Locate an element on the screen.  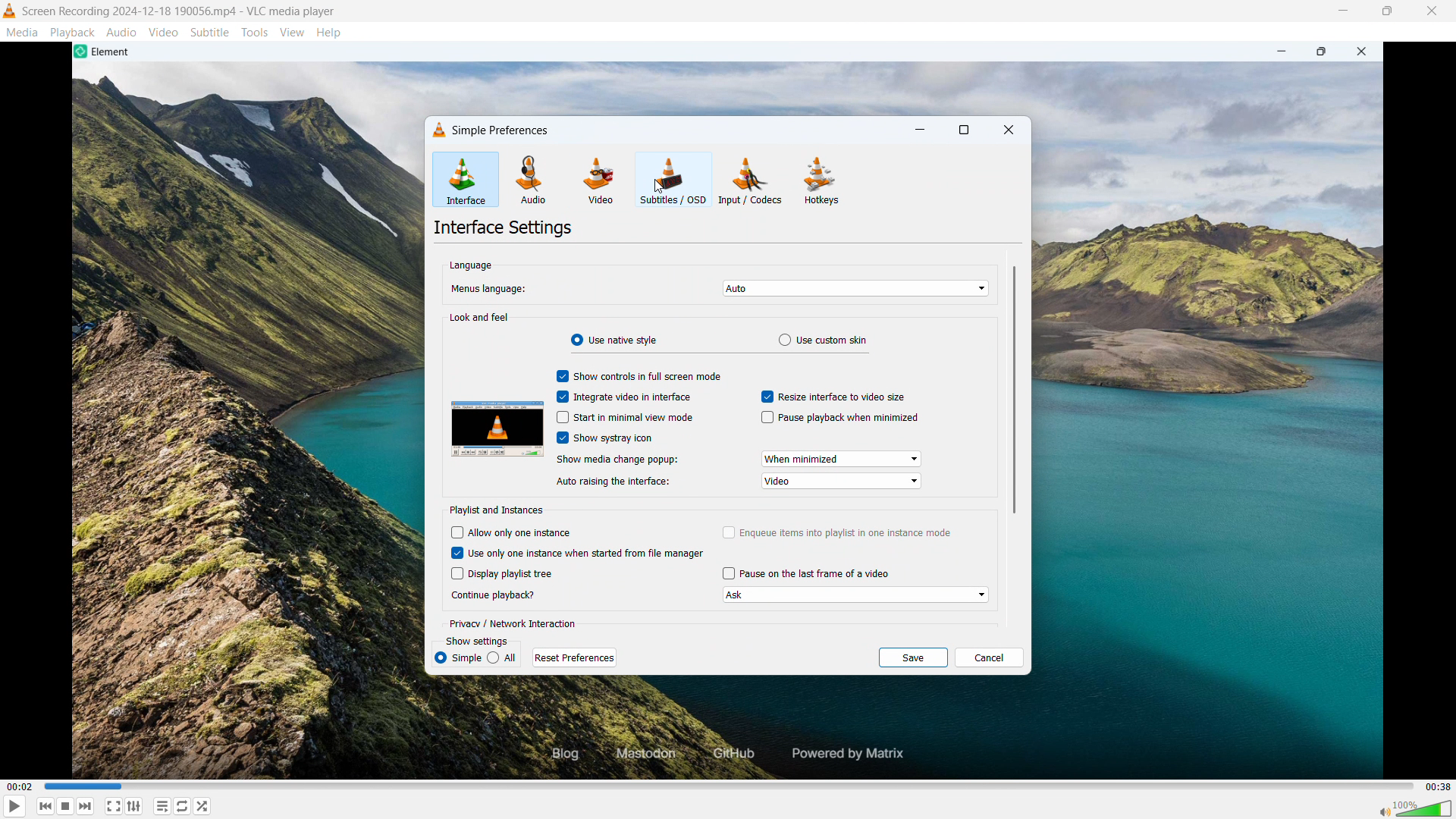
Media  is located at coordinates (22, 33).